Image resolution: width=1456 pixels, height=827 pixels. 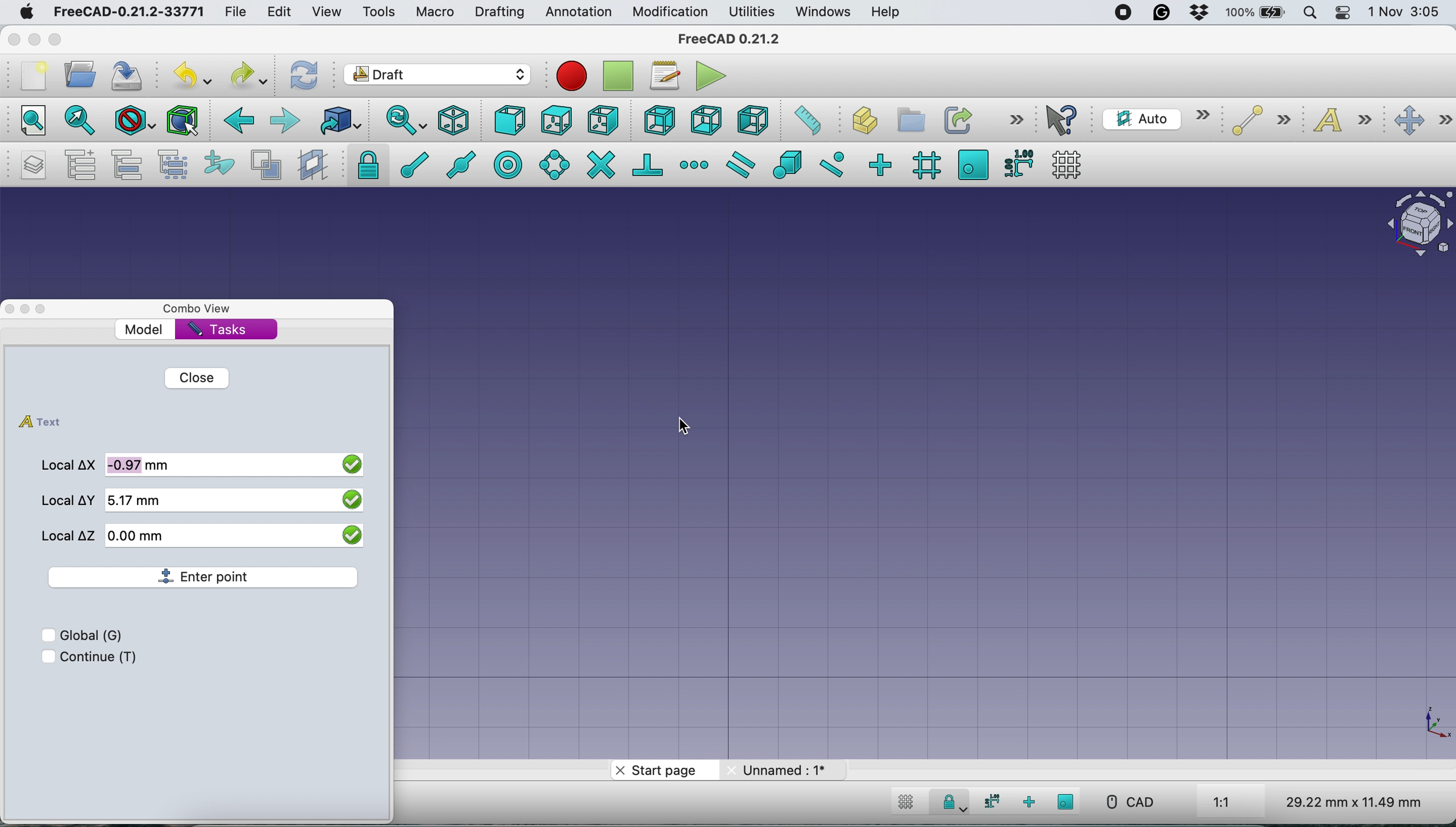 I want to click on file, so click(x=236, y=13).